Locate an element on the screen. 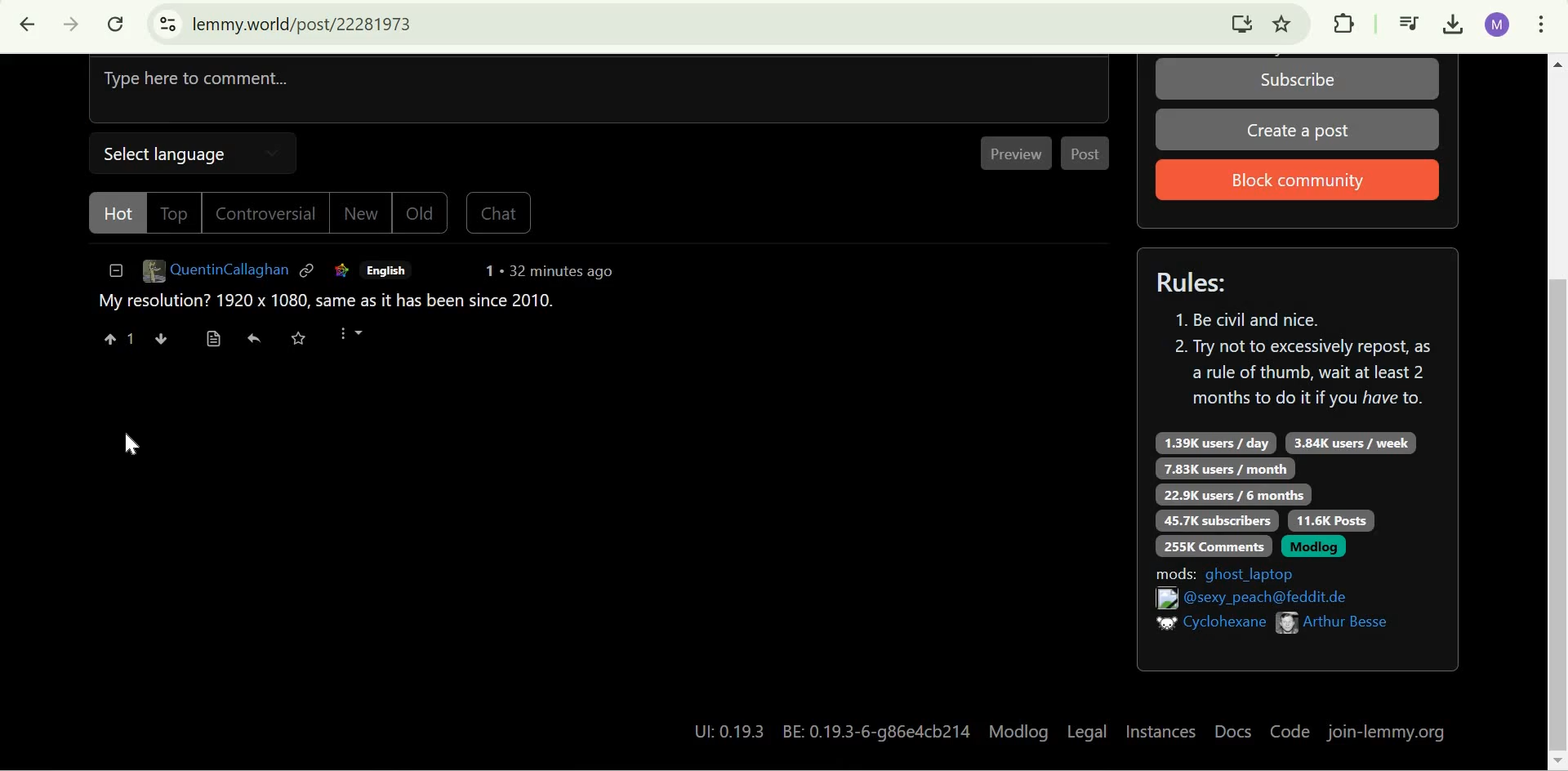  Old is located at coordinates (415, 215).